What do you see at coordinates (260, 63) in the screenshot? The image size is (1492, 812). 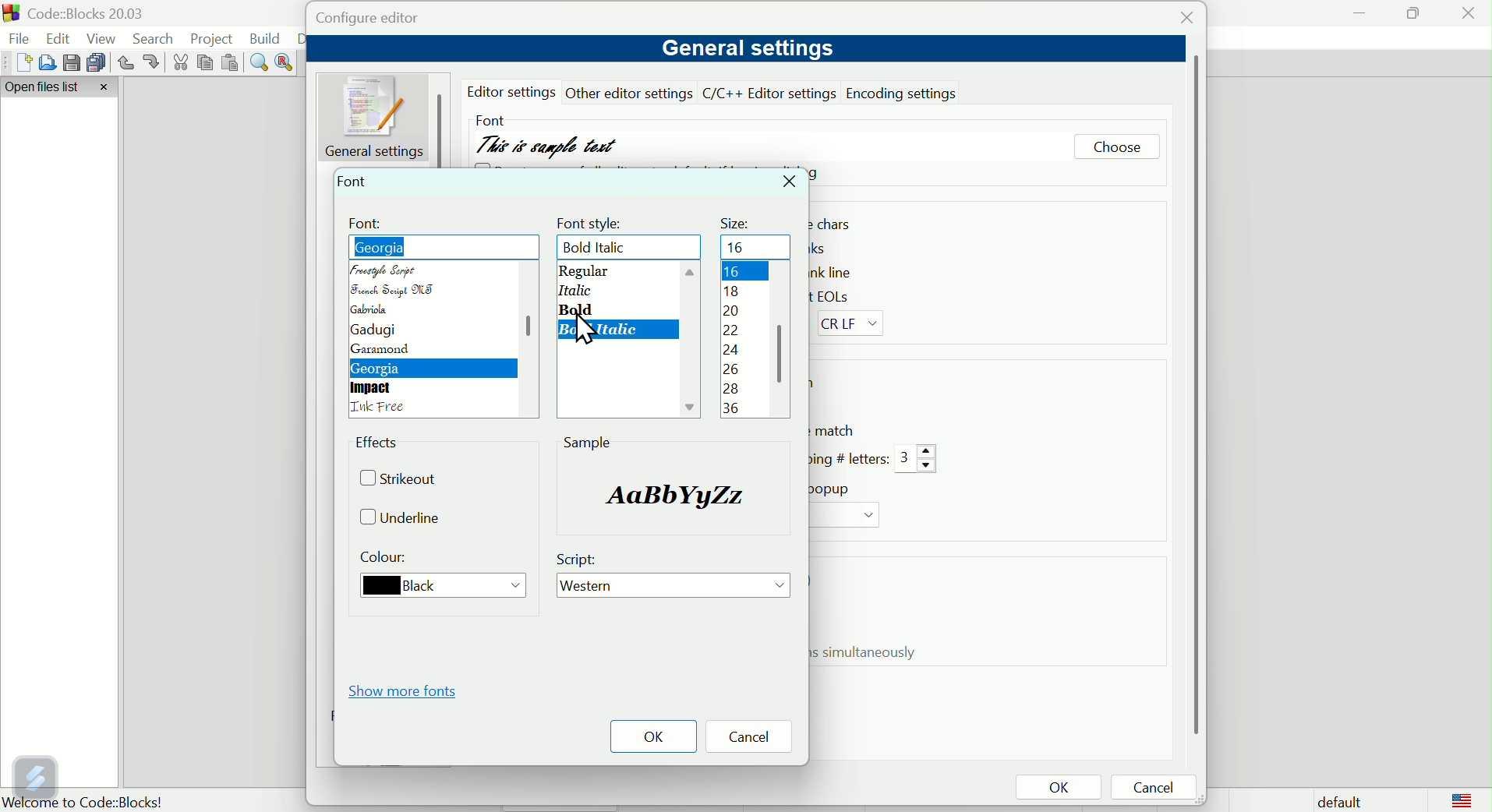 I see `Find` at bounding box center [260, 63].